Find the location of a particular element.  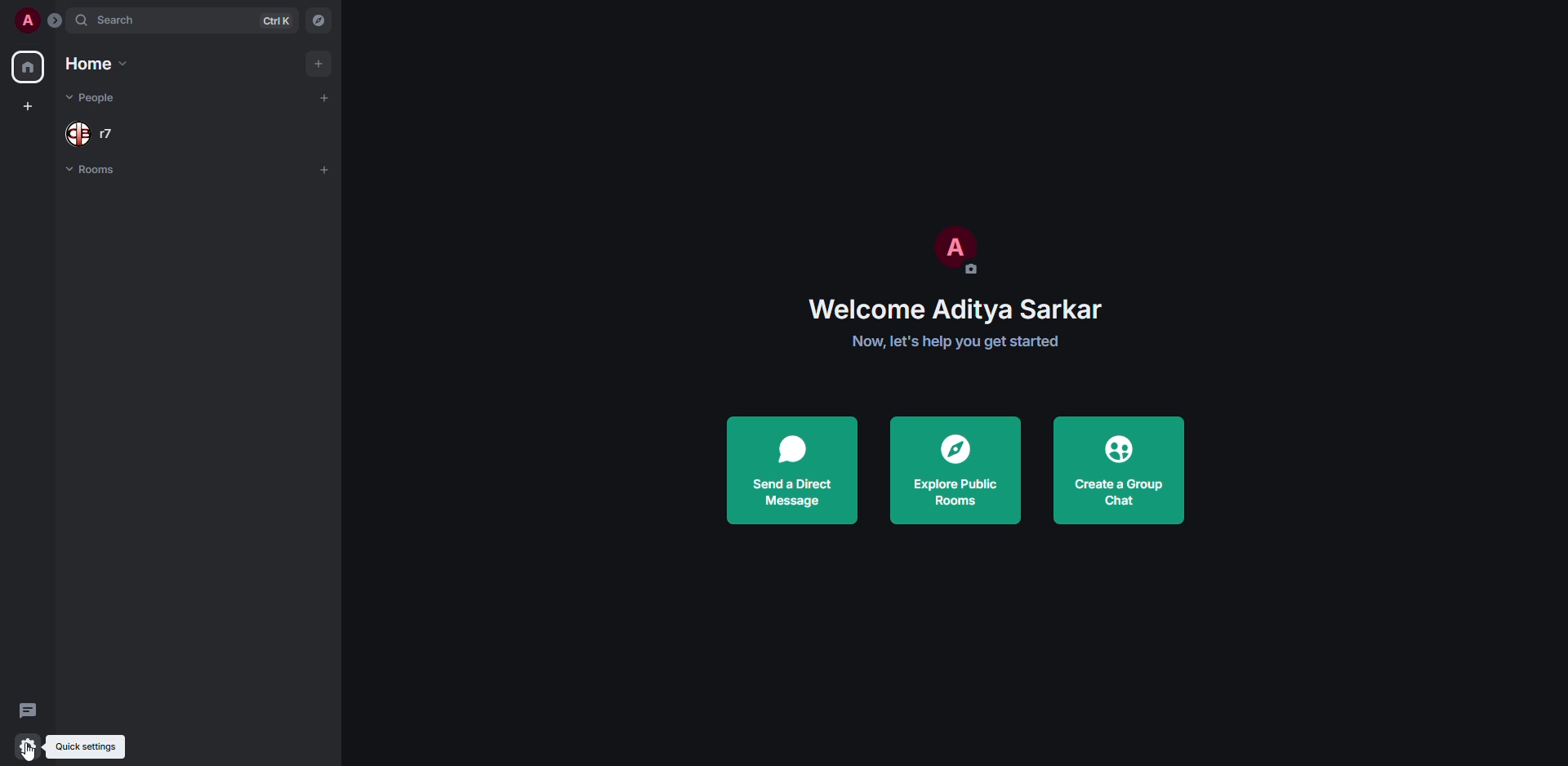

home is located at coordinates (29, 67).